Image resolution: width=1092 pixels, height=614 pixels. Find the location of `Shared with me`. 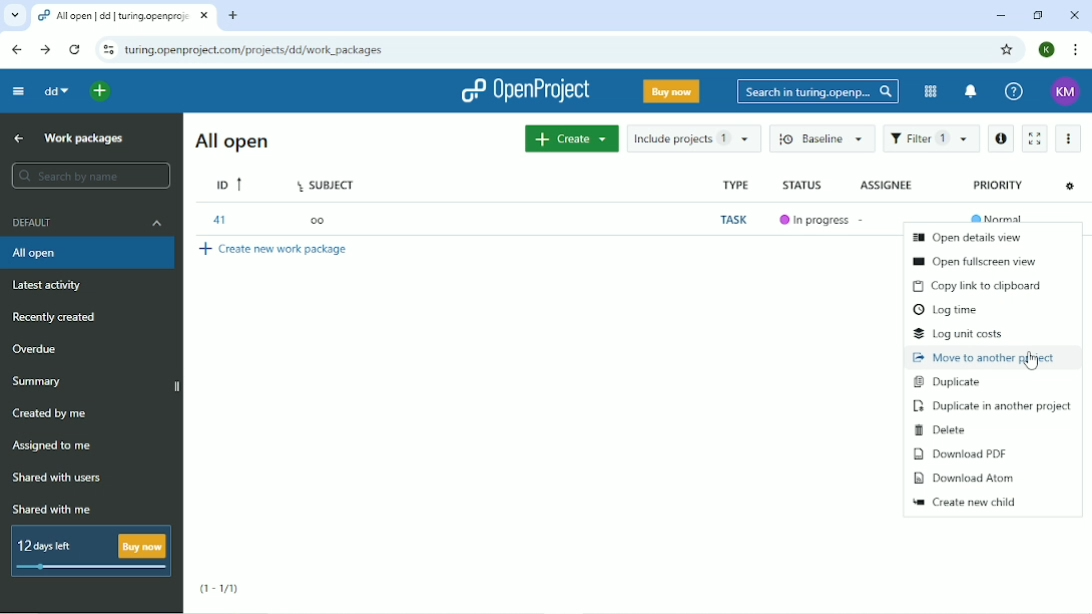

Shared with me is located at coordinates (51, 510).